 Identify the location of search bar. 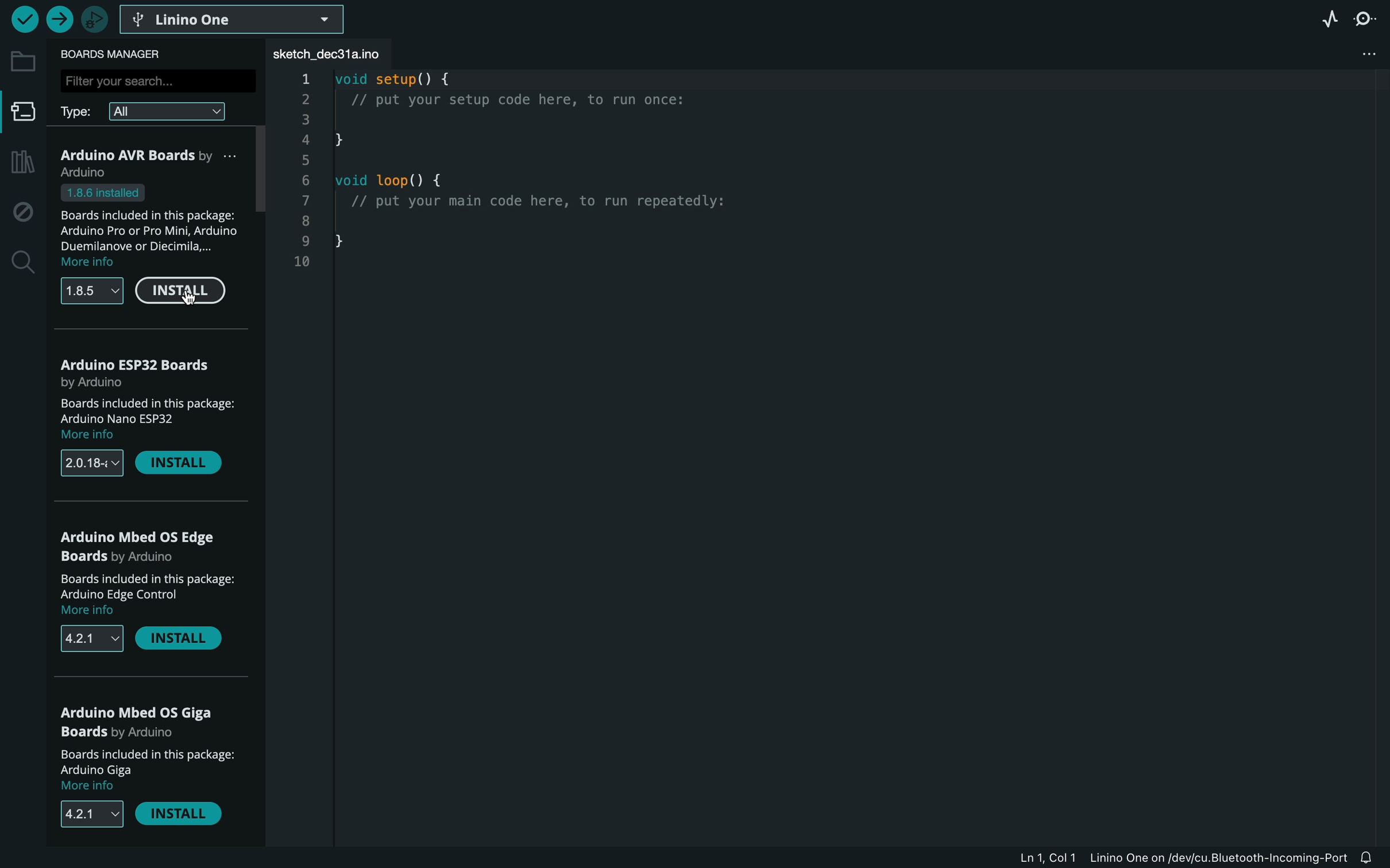
(156, 80).